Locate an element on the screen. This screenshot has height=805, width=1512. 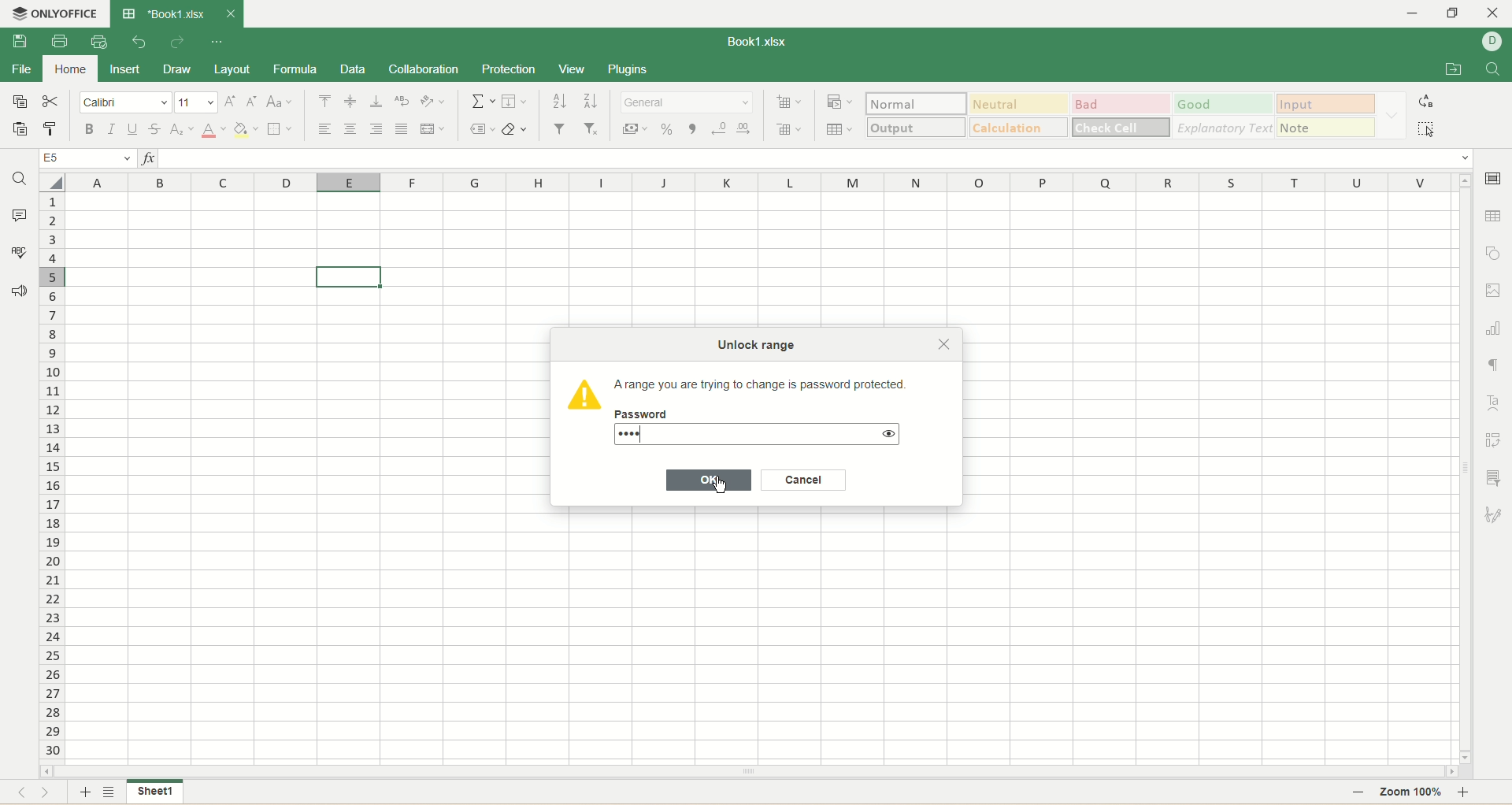
redo is located at coordinates (182, 45).